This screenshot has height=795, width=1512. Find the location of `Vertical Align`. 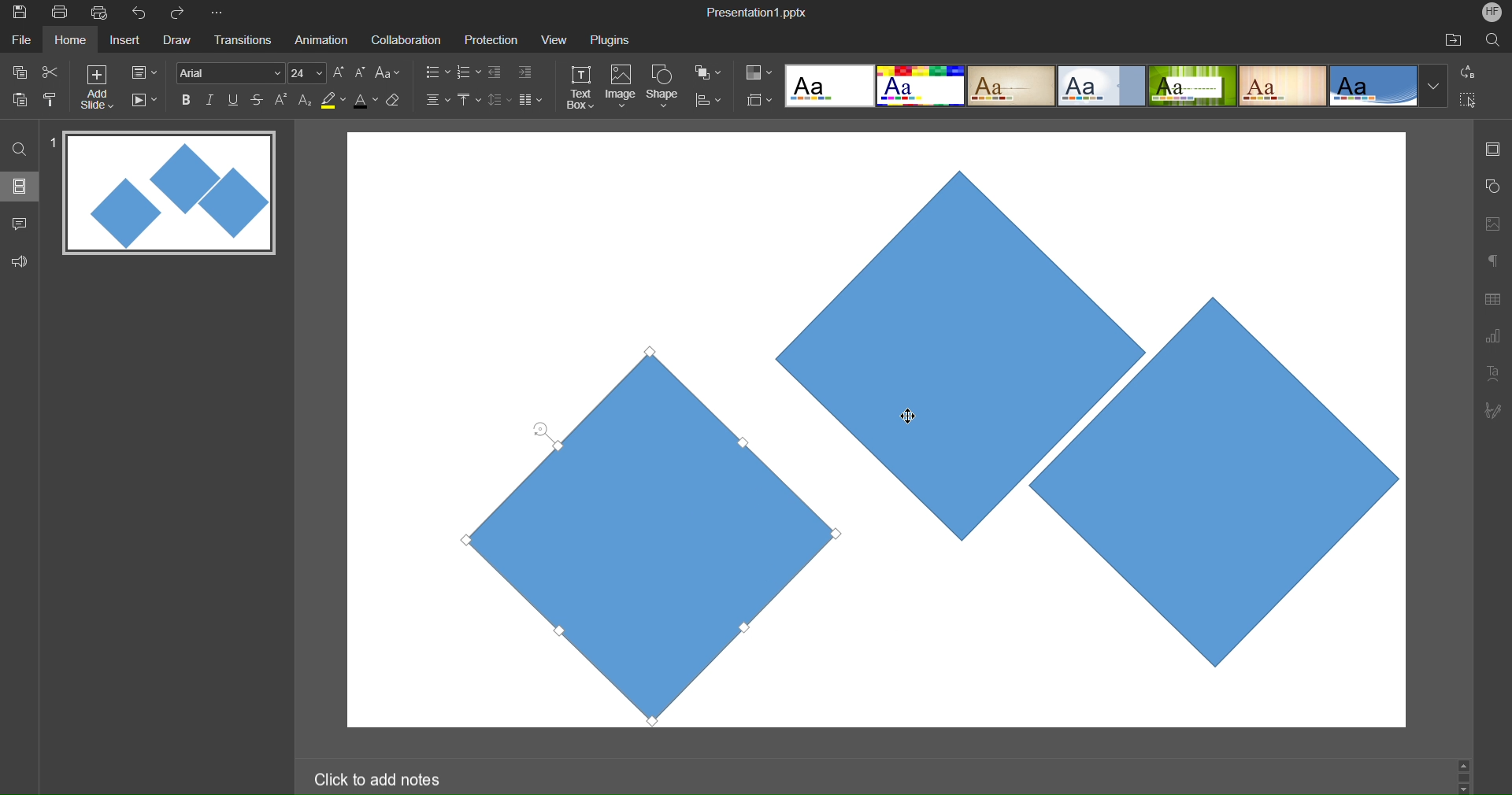

Vertical Align is located at coordinates (470, 99).